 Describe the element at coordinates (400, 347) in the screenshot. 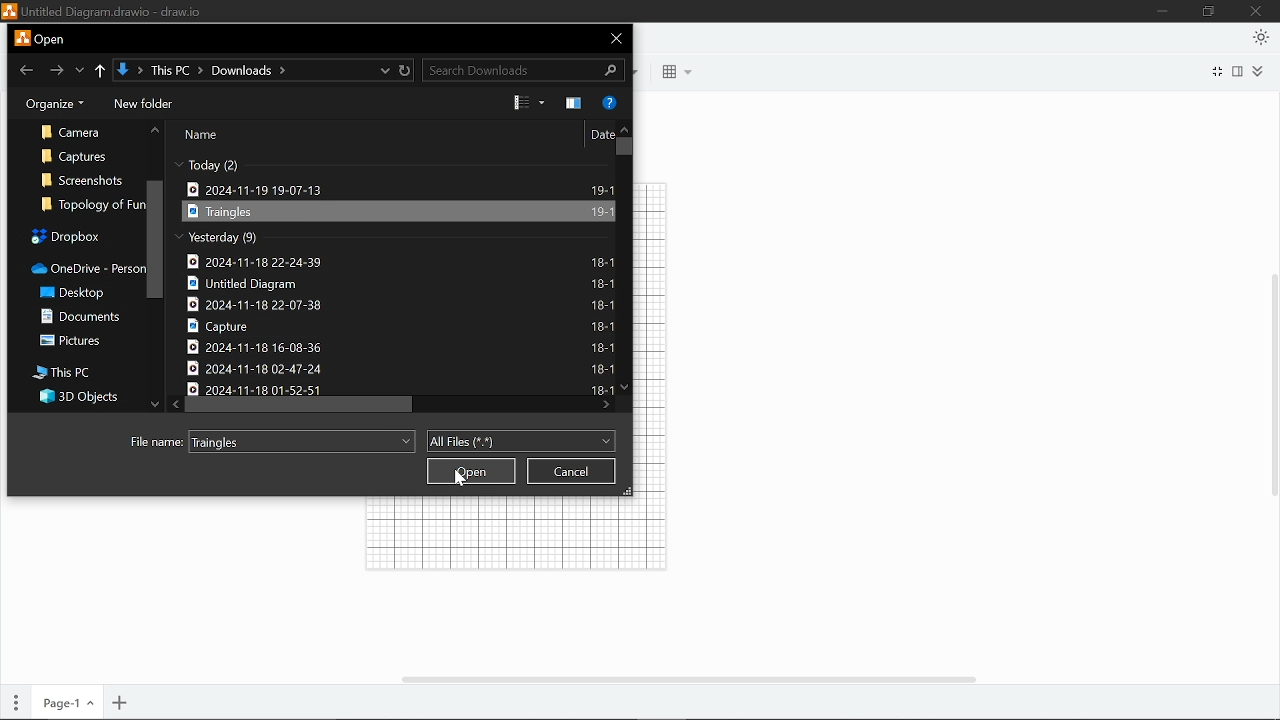

I see `2024-11-18 16-08-36 18-1` at that location.